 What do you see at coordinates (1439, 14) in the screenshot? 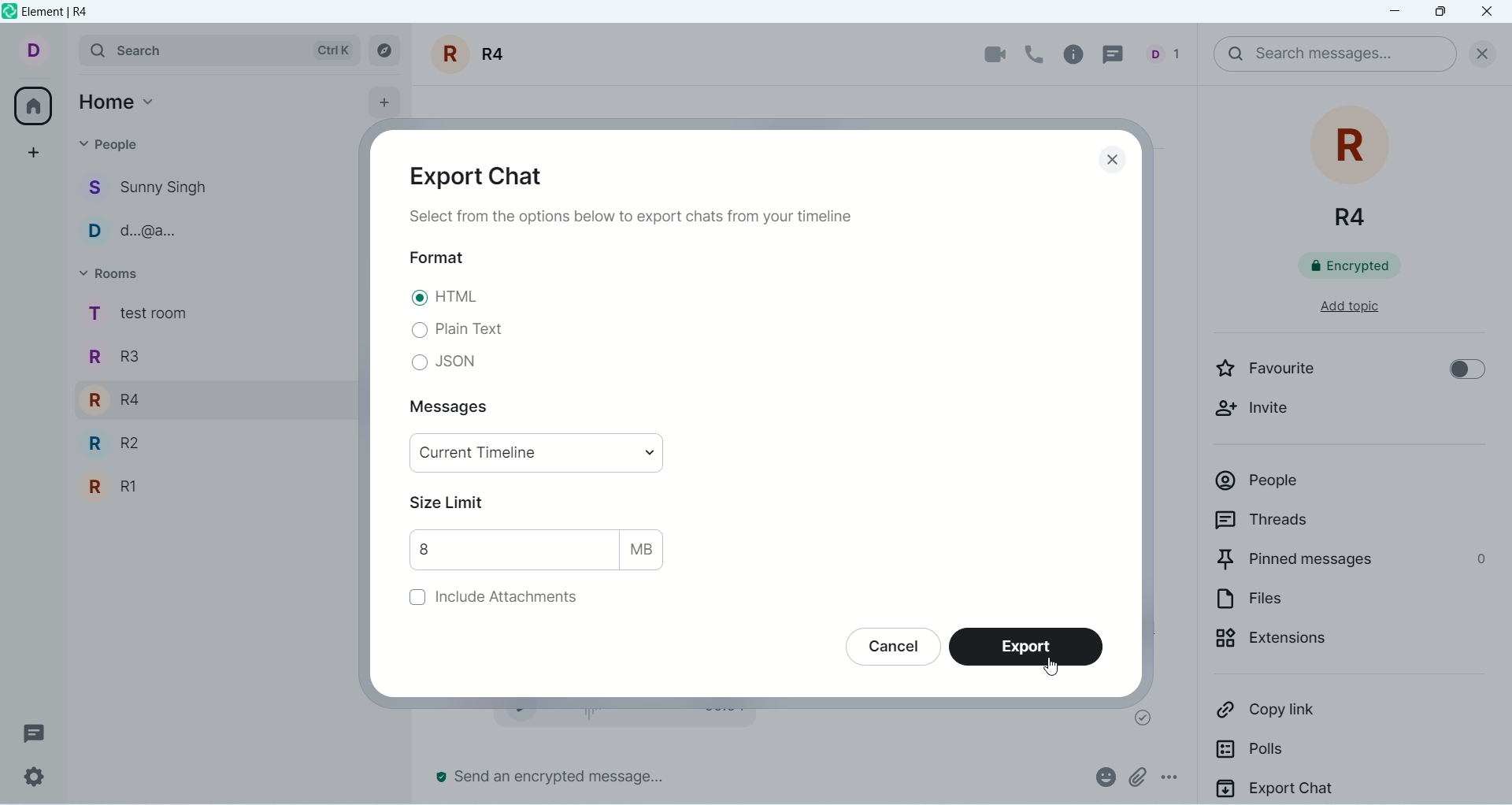
I see `maximize` at bounding box center [1439, 14].